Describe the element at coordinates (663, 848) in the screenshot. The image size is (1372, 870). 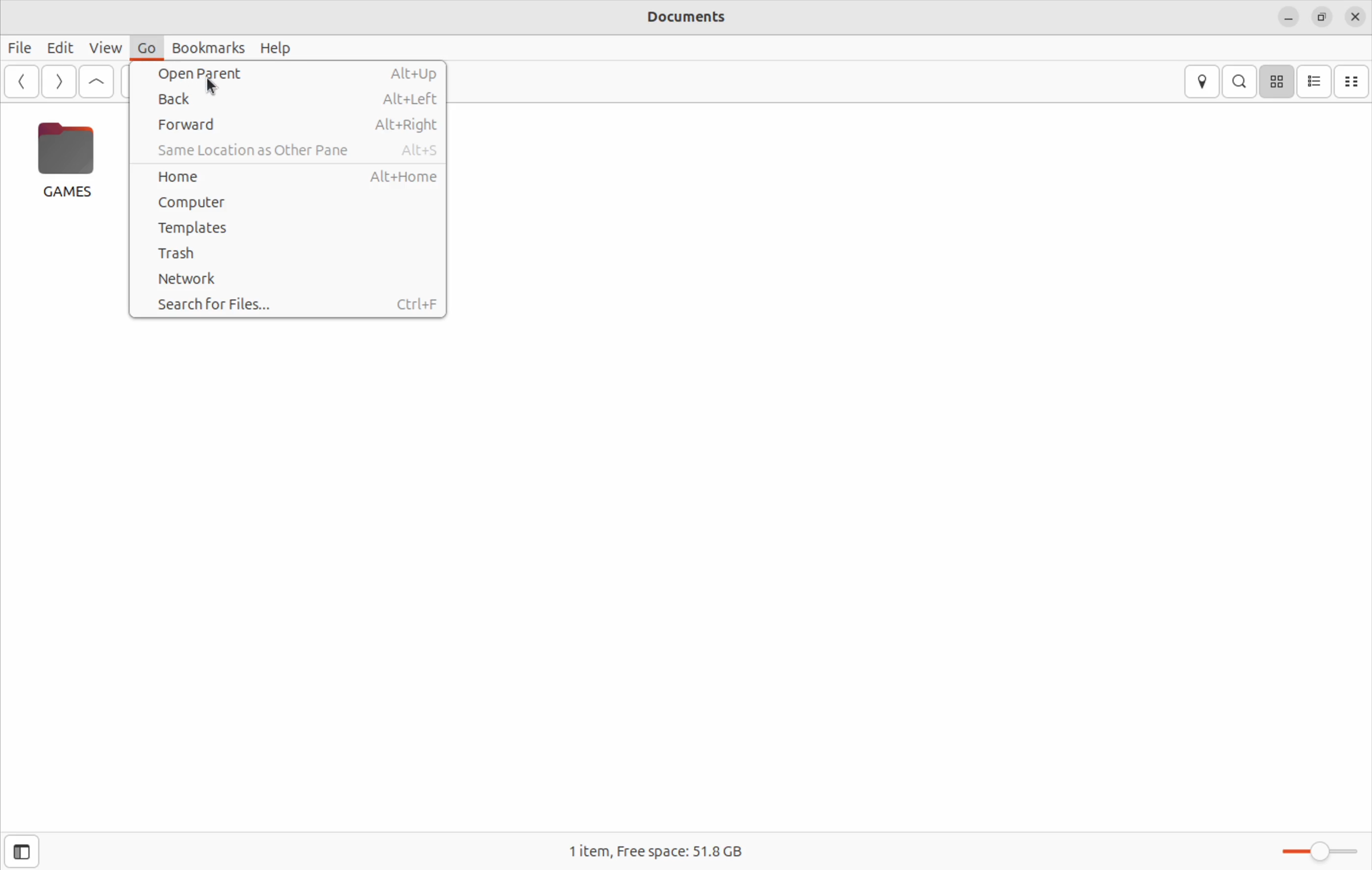
I see `1 item free space 51.8 Gb` at that location.